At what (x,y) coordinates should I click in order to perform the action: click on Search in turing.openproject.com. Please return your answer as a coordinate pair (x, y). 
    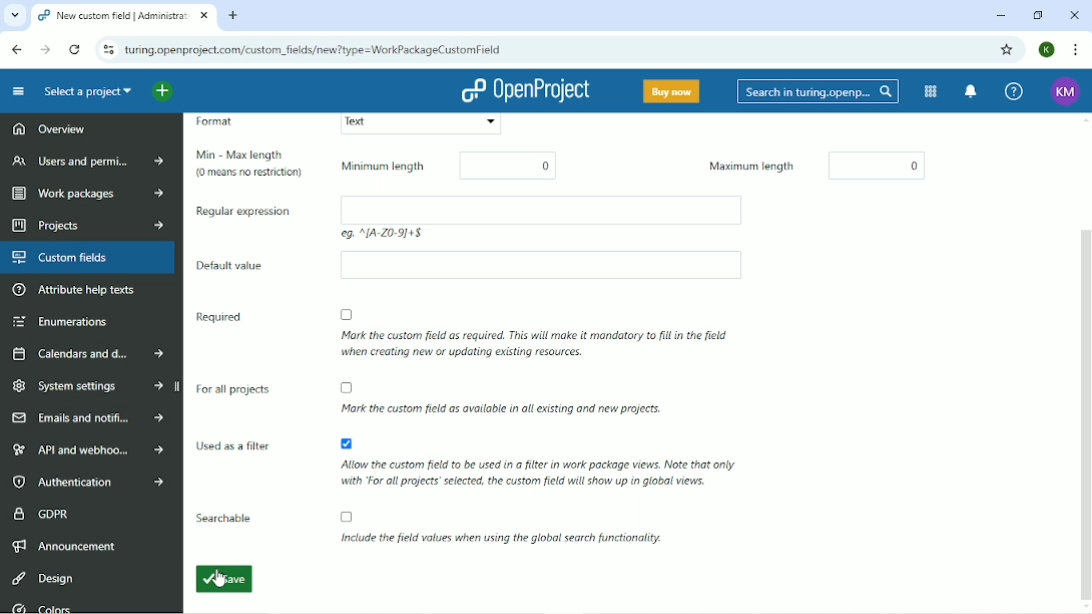
    Looking at the image, I should click on (816, 91).